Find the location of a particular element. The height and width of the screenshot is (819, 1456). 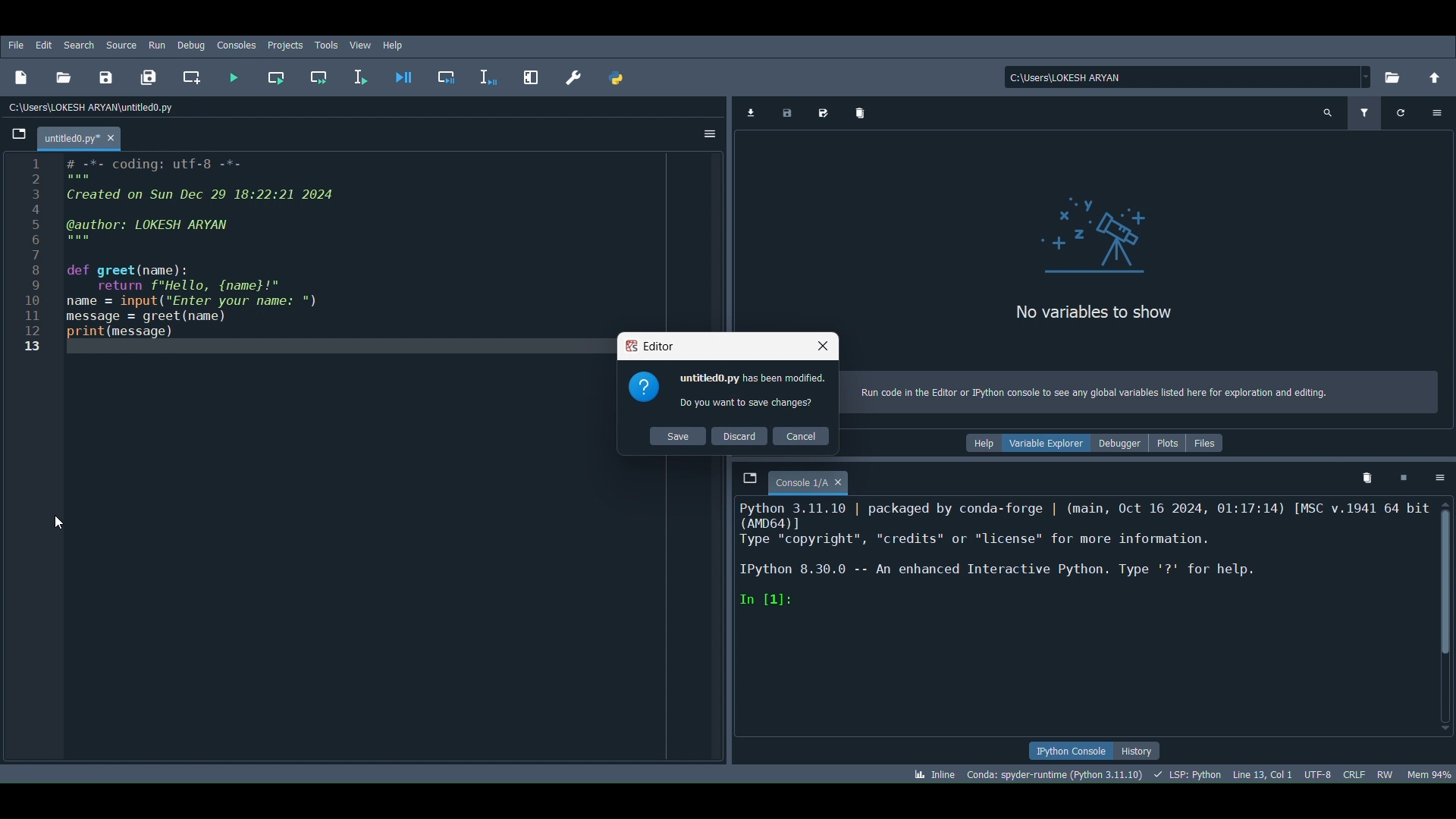

Options is located at coordinates (1438, 111).